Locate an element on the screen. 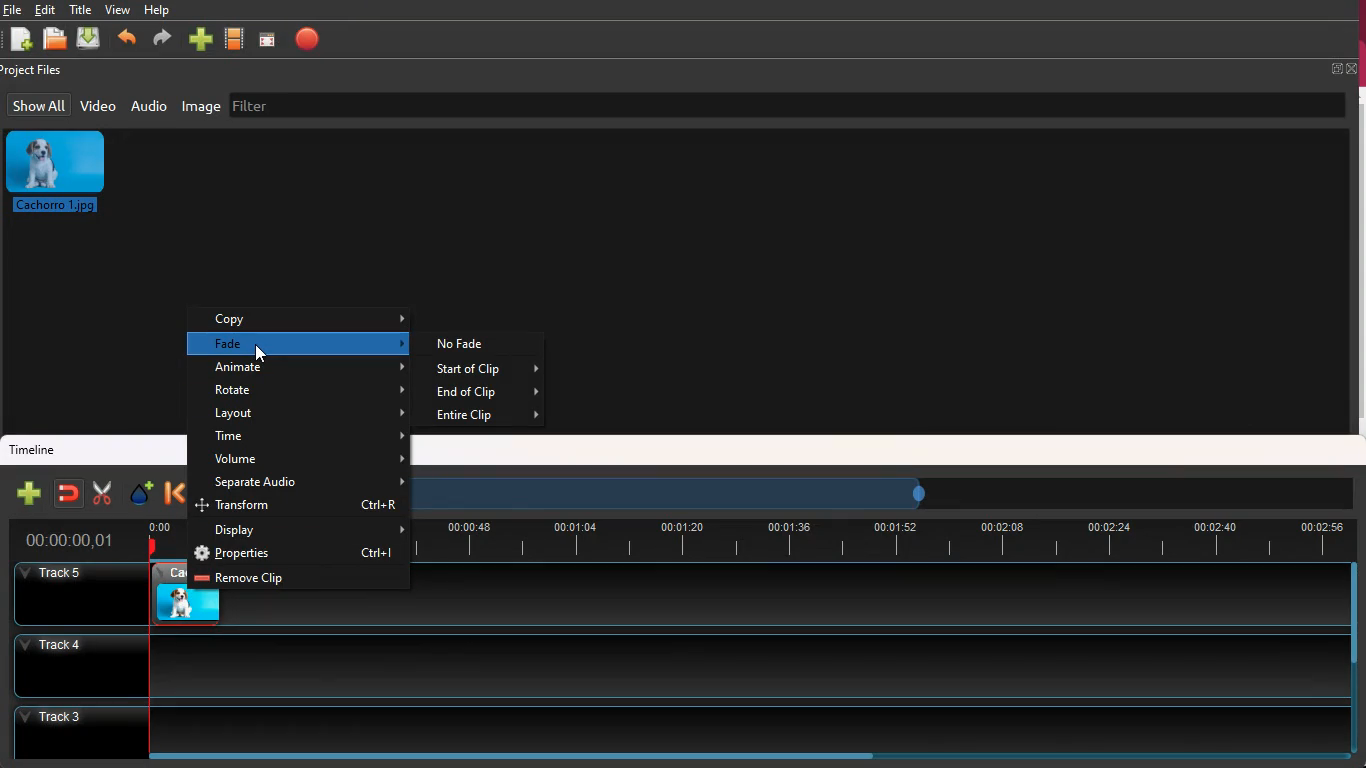 The height and width of the screenshot is (768, 1366). time is located at coordinates (881, 540).